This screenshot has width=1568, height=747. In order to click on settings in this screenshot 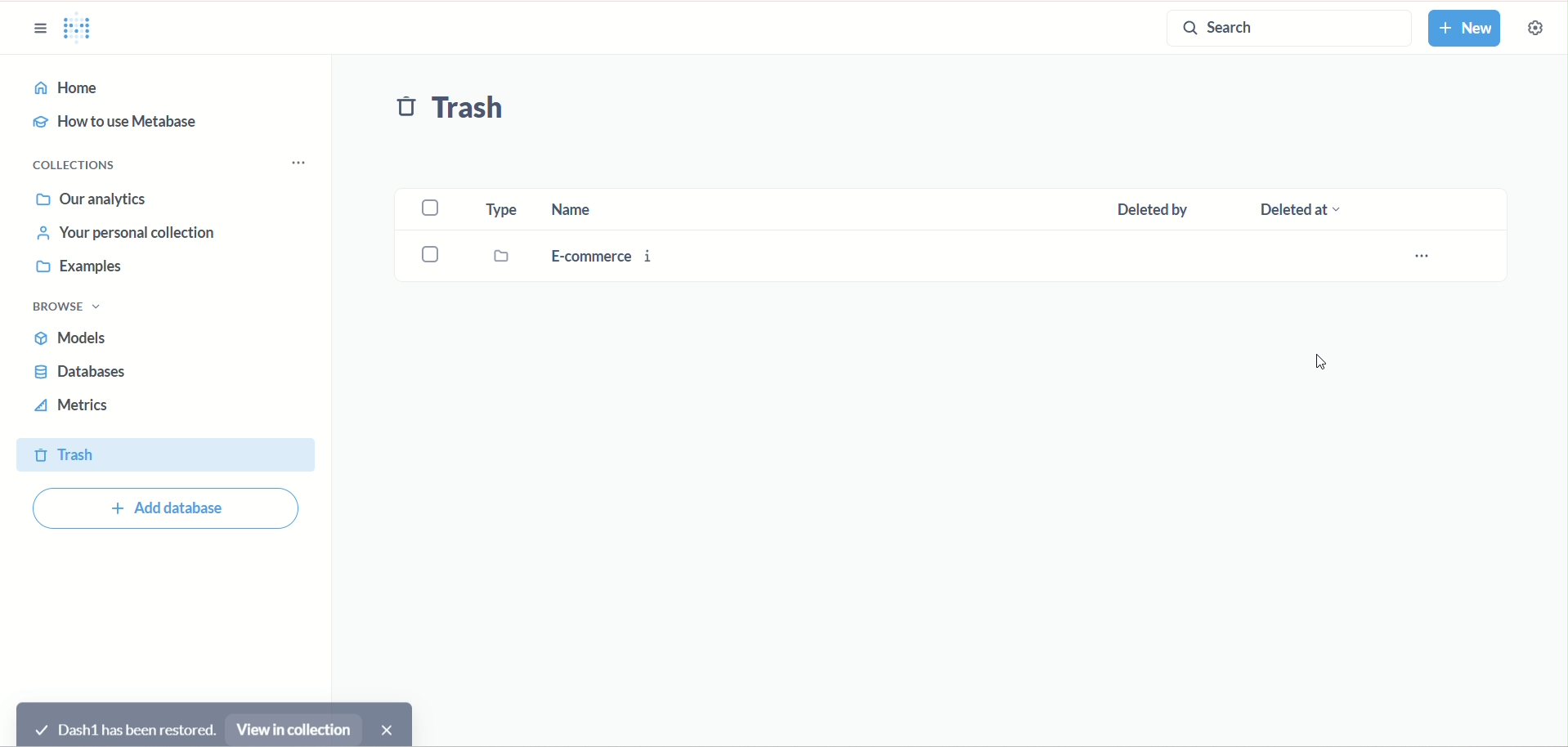, I will do `click(1534, 27)`.